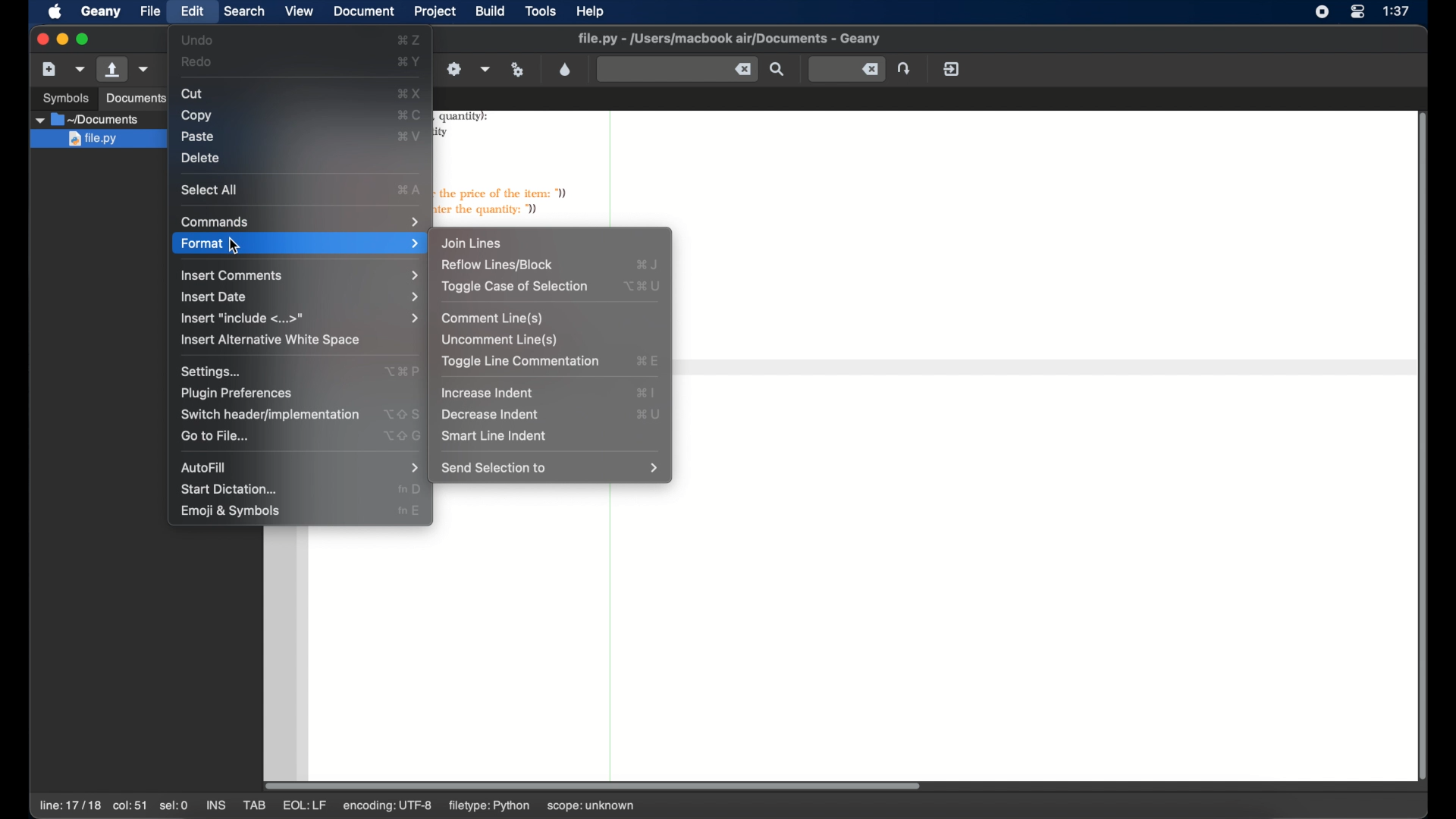 The image size is (1456, 819). Describe the element at coordinates (85, 39) in the screenshot. I see `maximize` at that location.